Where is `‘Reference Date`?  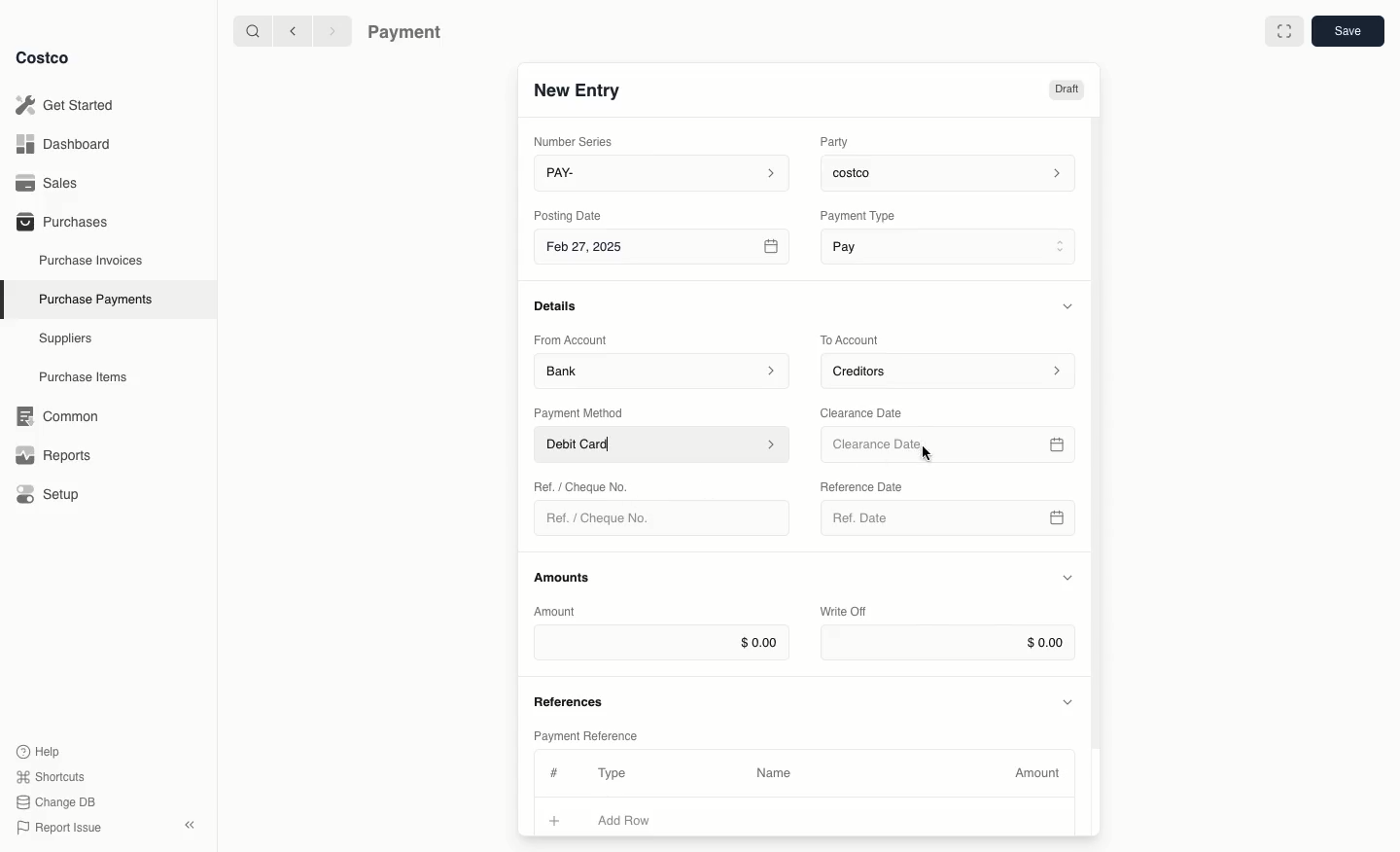 ‘Reference Date is located at coordinates (863, 486).